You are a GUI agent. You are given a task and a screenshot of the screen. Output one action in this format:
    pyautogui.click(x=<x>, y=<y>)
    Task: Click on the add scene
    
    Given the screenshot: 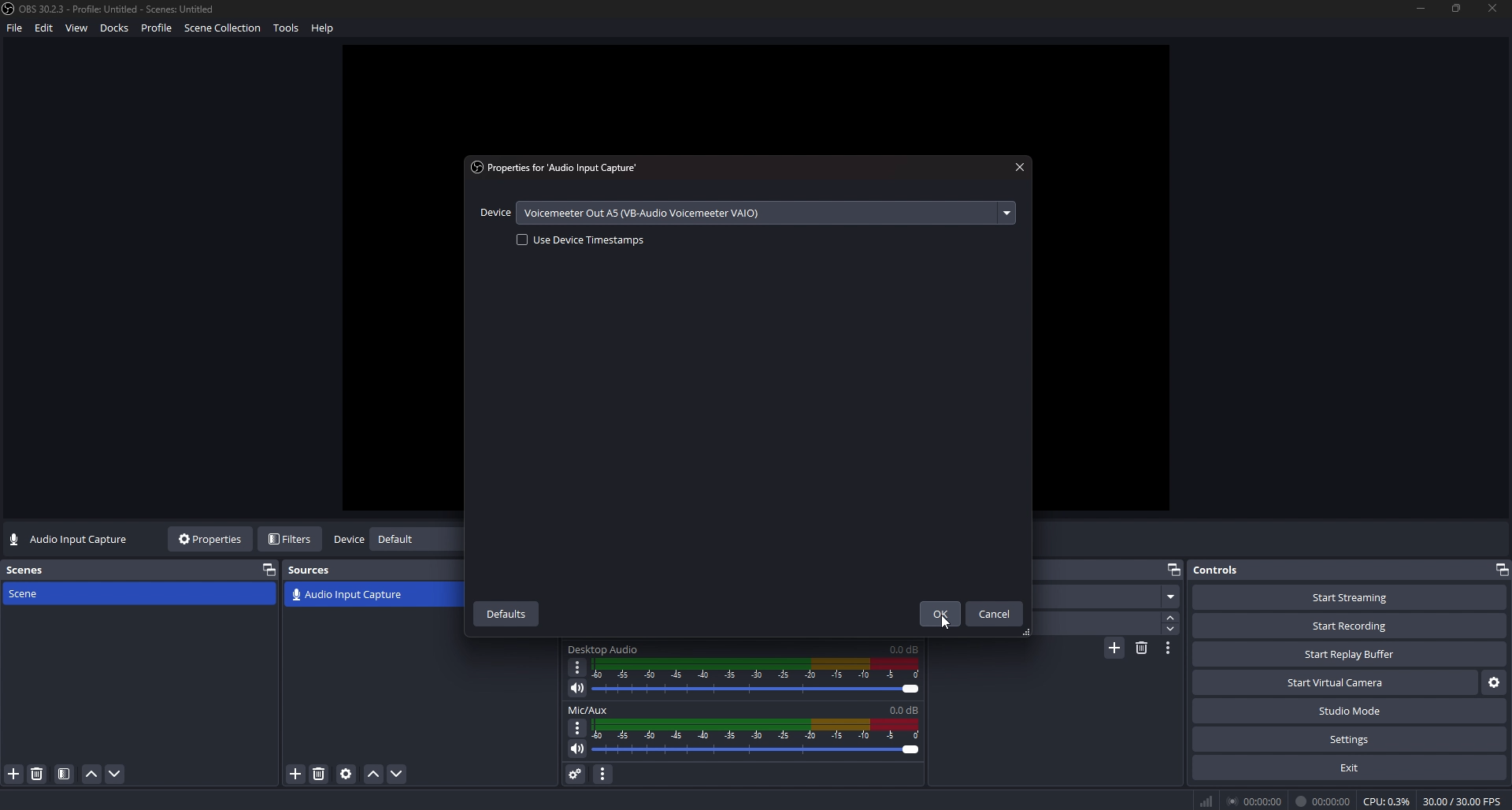 What is the action you would take?
    pyautogui.click(x=14, y=774)
    